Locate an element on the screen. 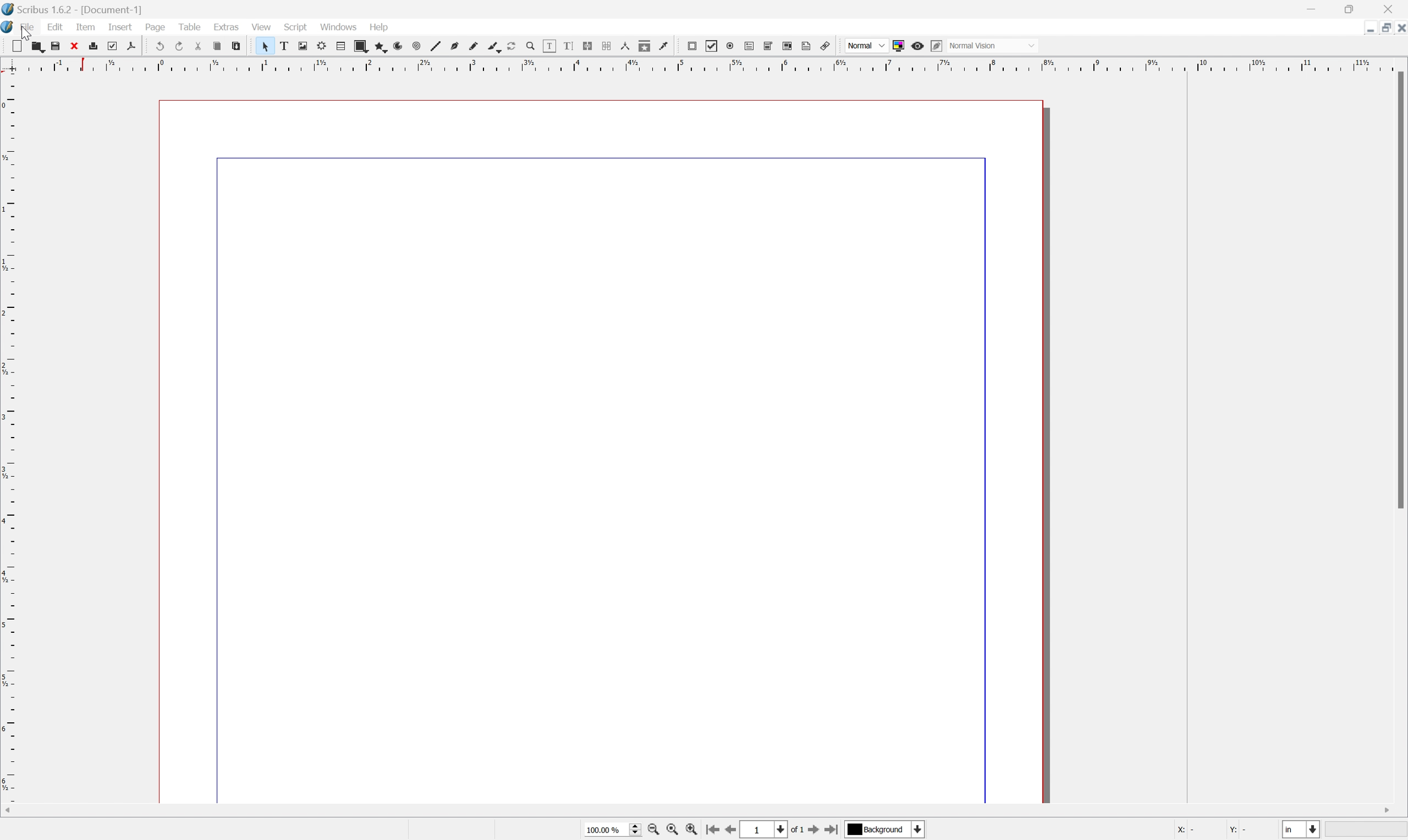 This screenshot has height=840, width=1408. text annotation is located at coordinates (807, 46).